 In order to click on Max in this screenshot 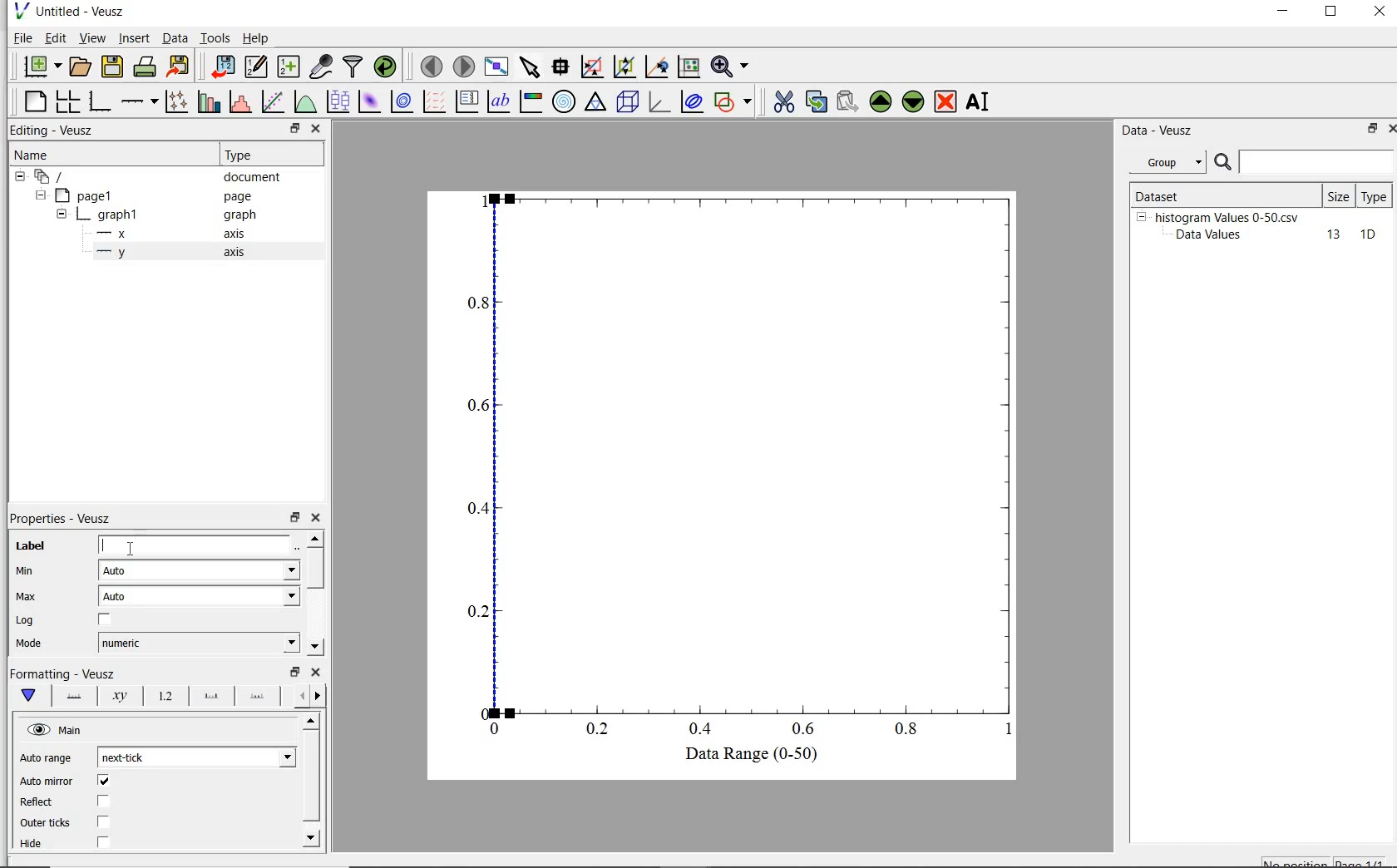, I will do `click(27, 596)`.